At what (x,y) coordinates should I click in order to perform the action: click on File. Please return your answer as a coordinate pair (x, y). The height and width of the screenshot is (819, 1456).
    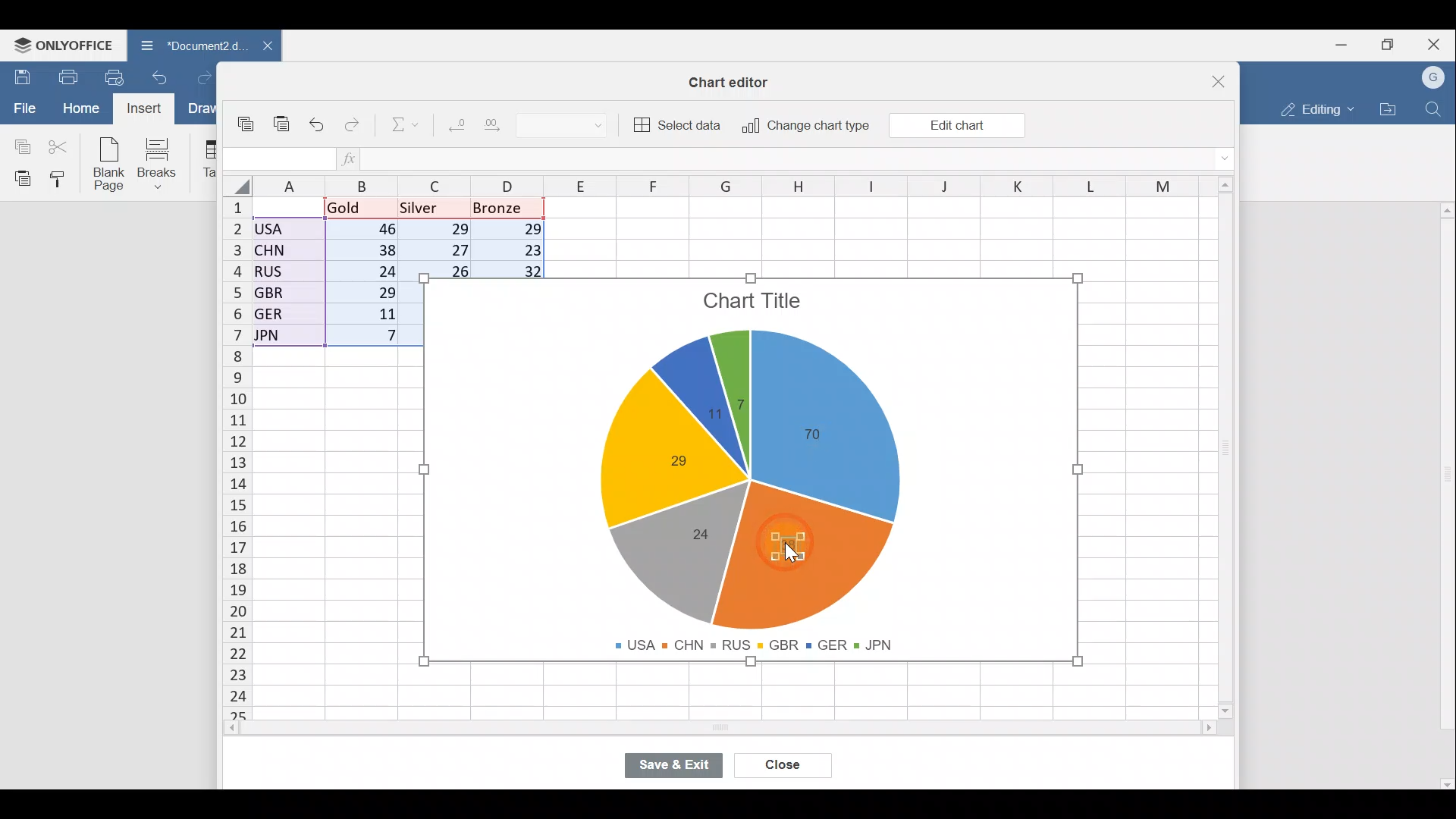
    Looking at the image, I should click on (23, 107).